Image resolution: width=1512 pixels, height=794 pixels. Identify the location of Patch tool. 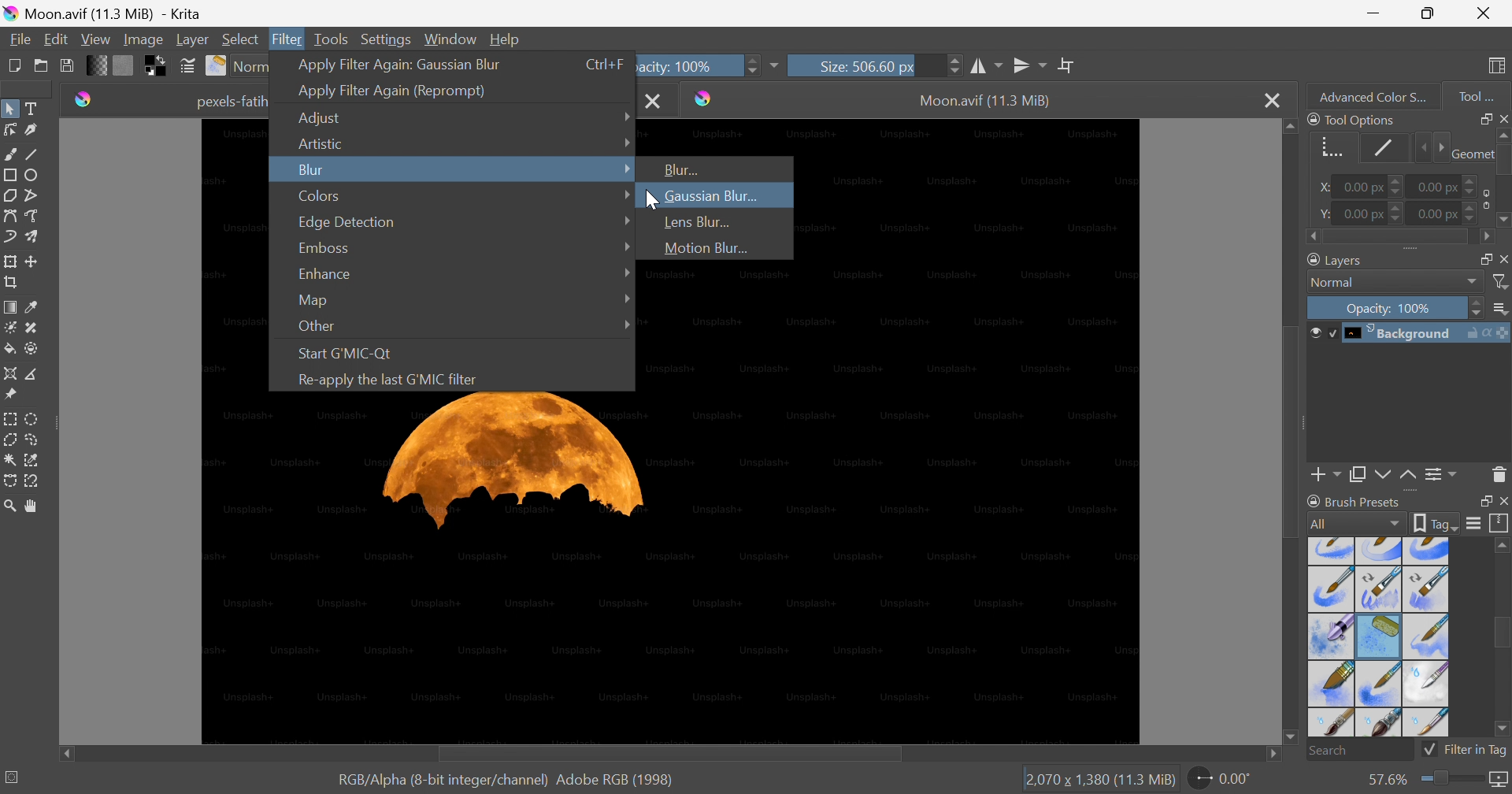
(31, 328).